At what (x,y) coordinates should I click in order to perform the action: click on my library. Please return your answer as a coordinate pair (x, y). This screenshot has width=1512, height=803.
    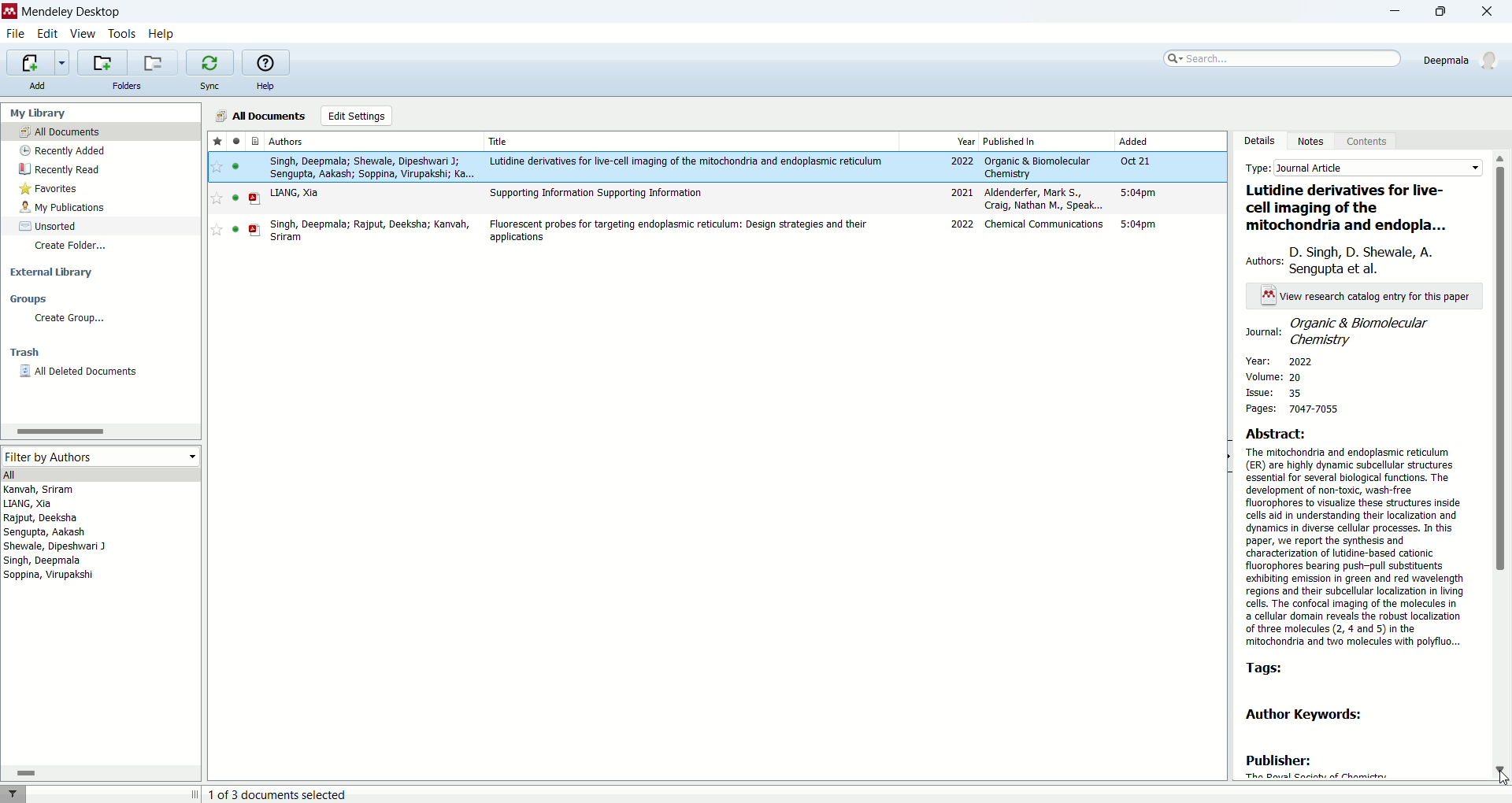
    Looking at the image, I should click on (36, 113).